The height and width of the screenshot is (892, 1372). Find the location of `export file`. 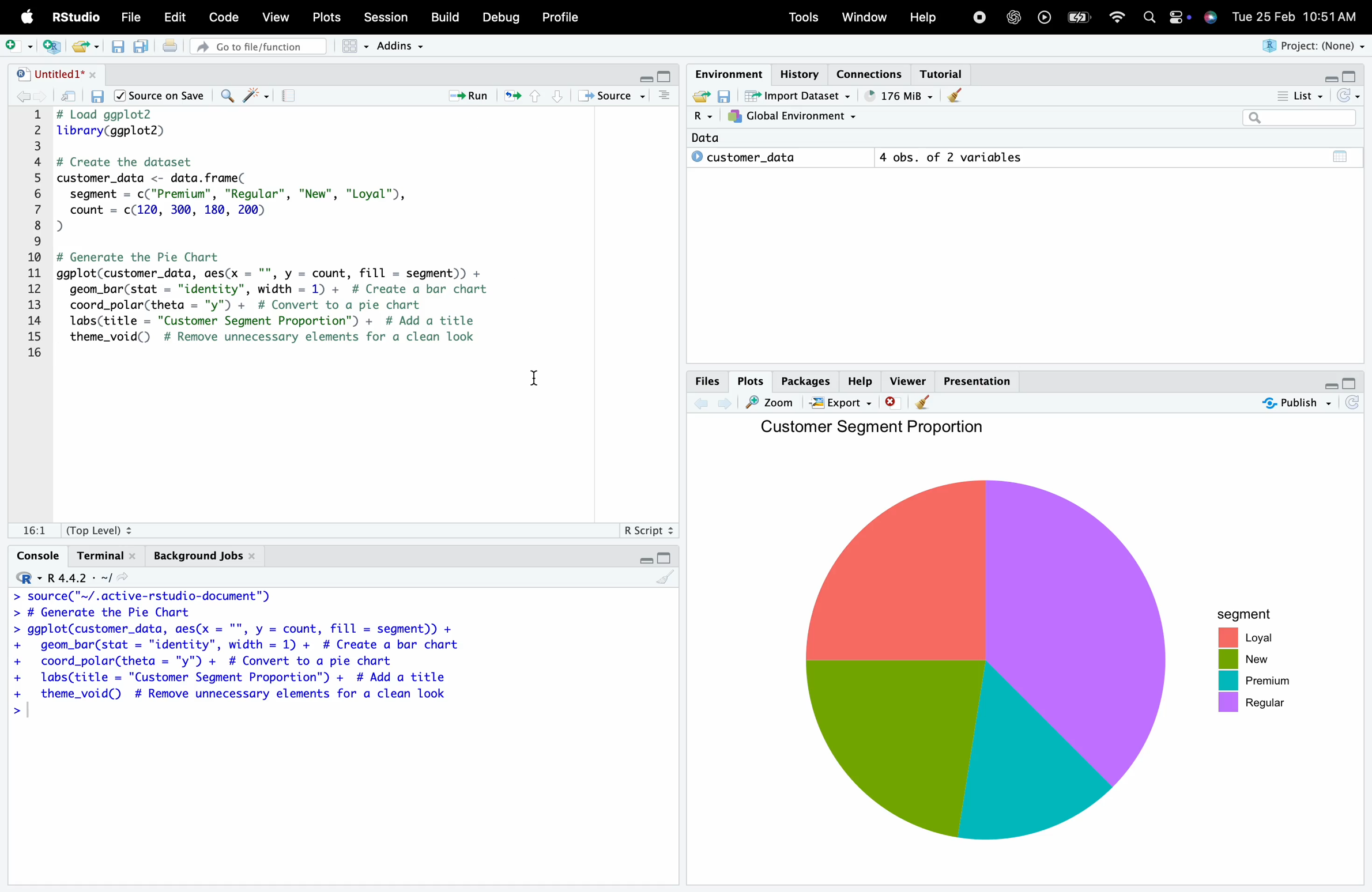

export file is located at coordinates (89, 47).